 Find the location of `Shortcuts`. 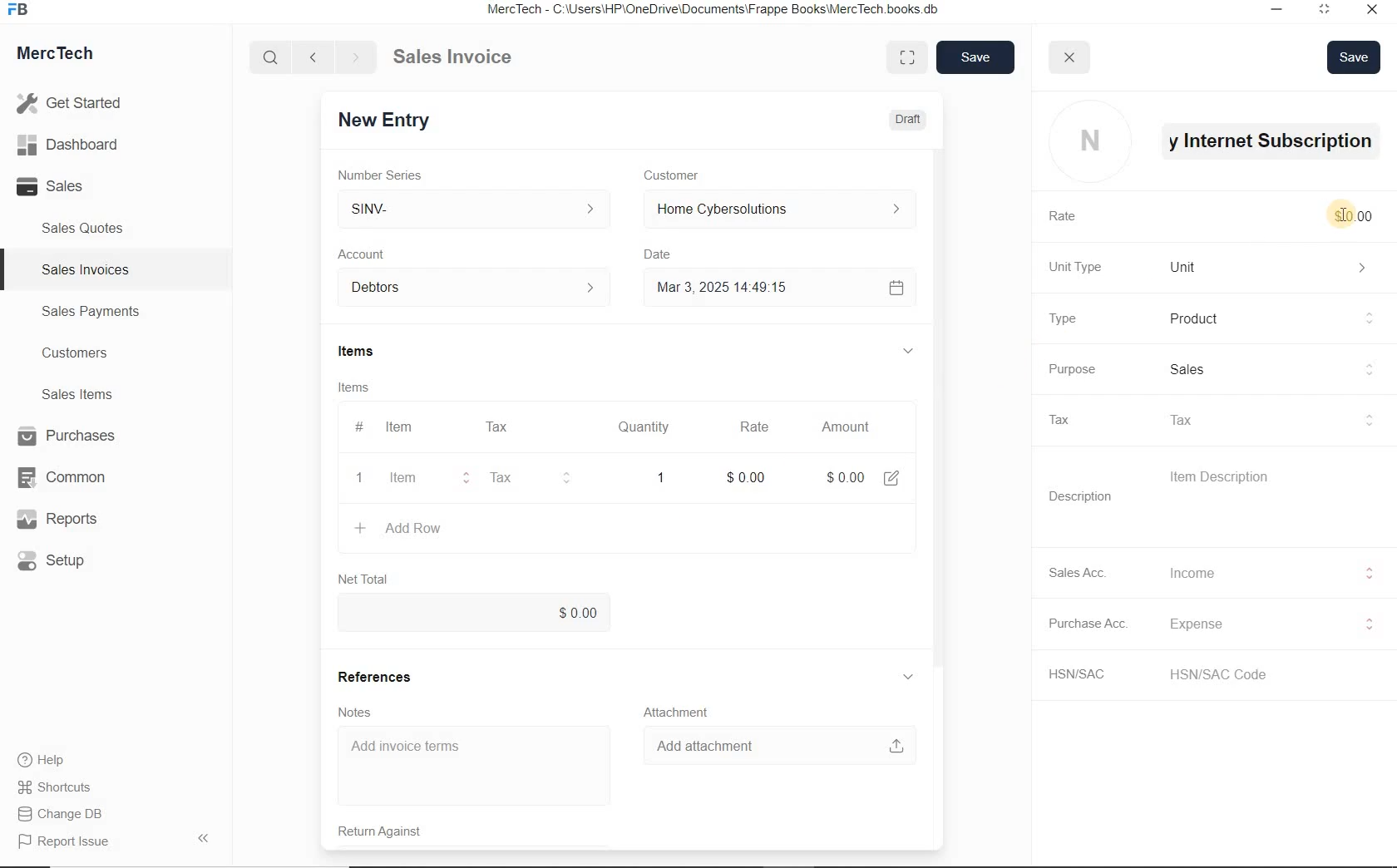

Shortcuts is located at coordinates (62, 788).